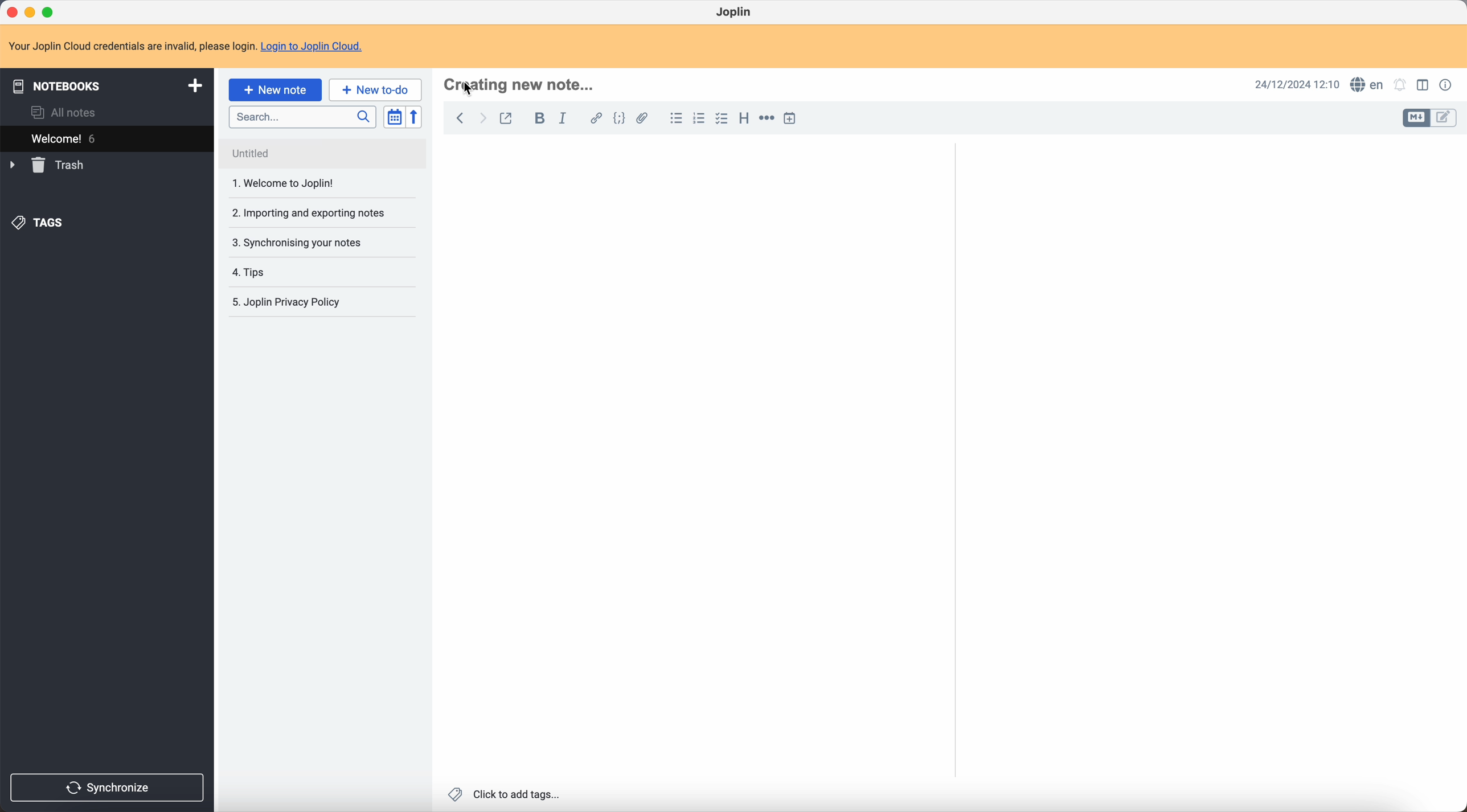 The image size is (1467, 812). Describe the element at coordinates (1445, 117) in the screenshot. I see `toggle edit layout` at that location.